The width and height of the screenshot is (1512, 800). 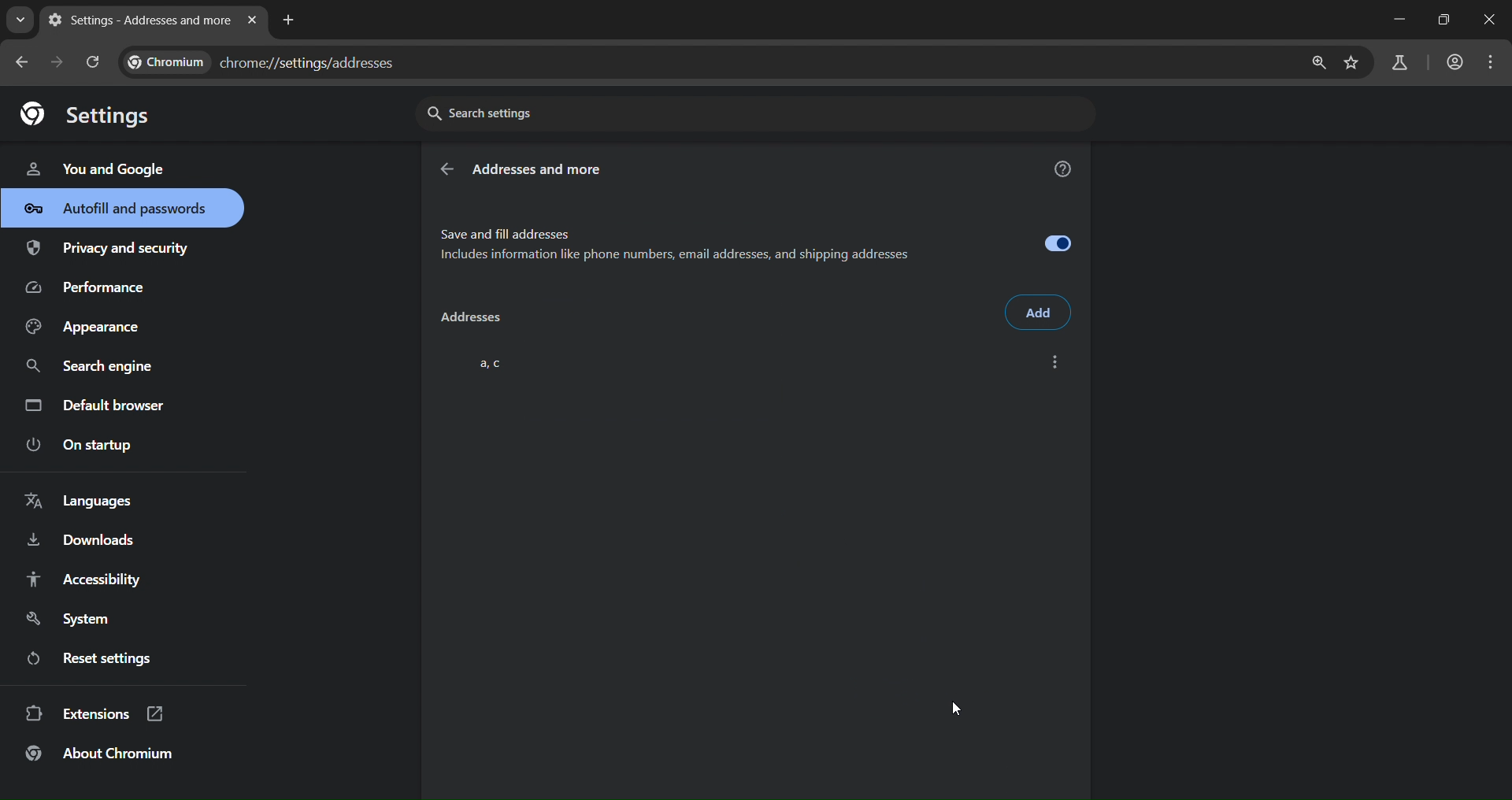 What do you see at coordinates (94, 367) in the screenshot?
I see `search engine` at bounding box center [94, 367].